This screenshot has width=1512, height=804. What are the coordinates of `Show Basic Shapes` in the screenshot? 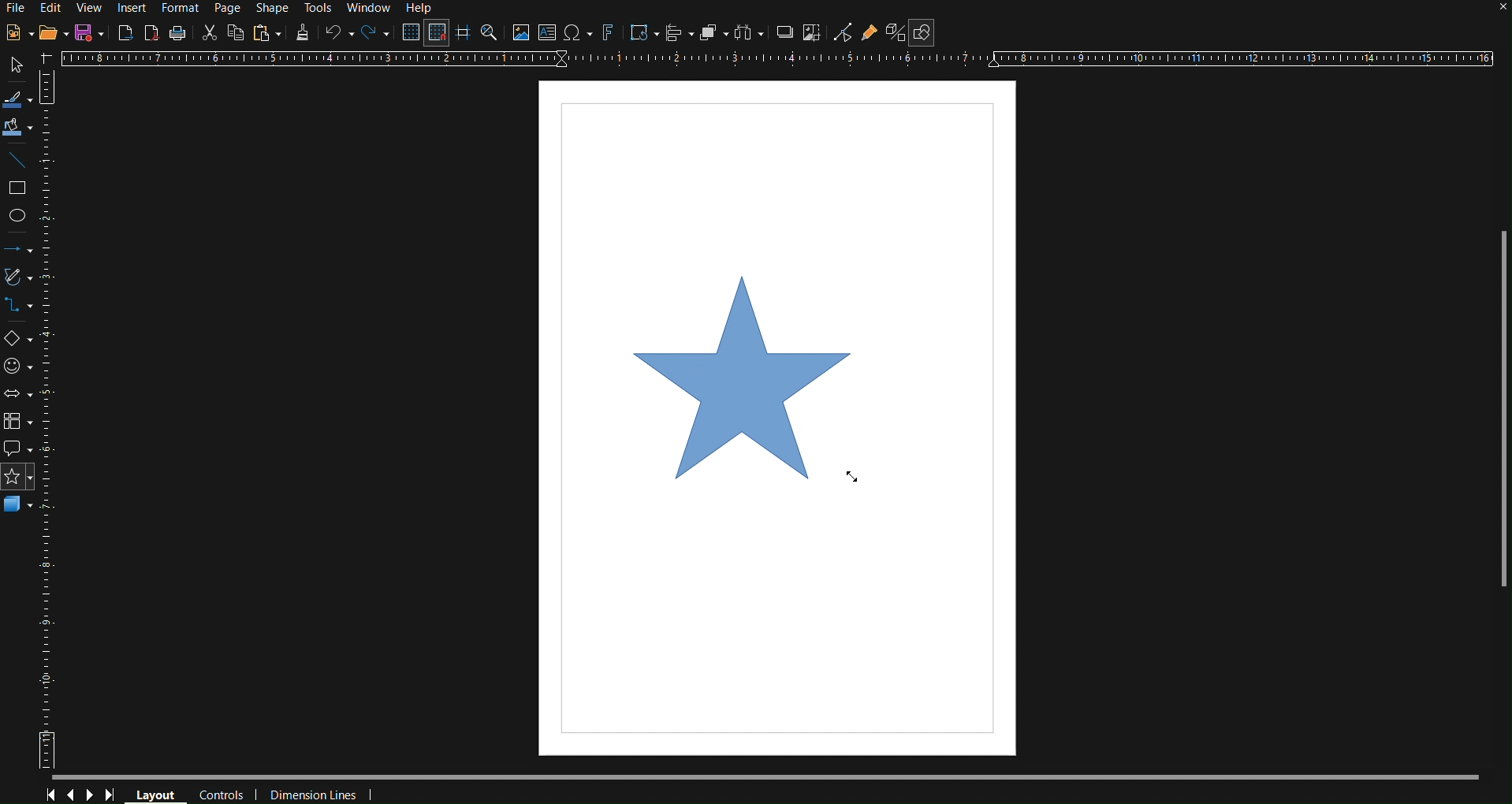 It's located at (923, 32).